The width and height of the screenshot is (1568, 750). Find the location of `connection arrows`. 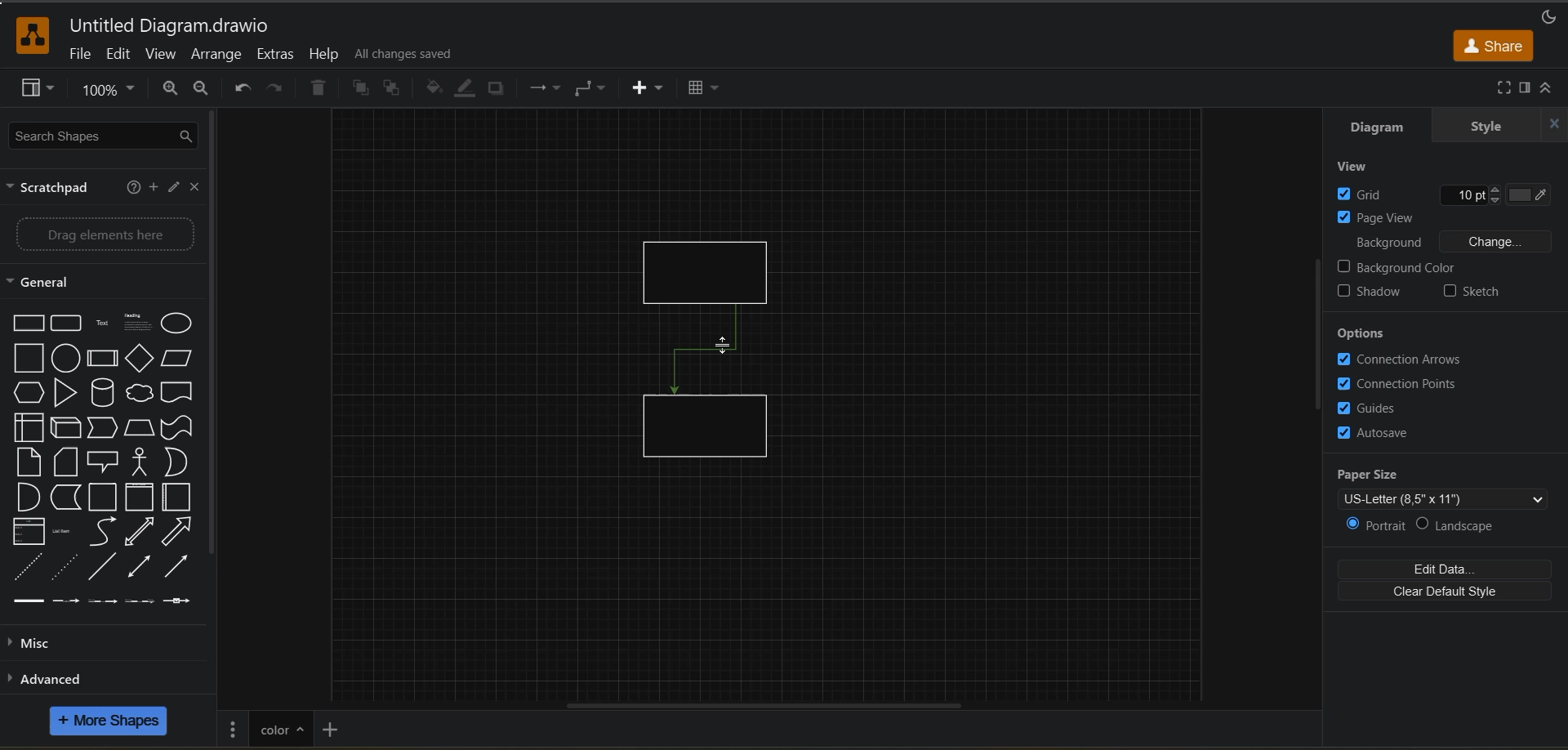

connection arrows is located at coordinates (1400, 359).